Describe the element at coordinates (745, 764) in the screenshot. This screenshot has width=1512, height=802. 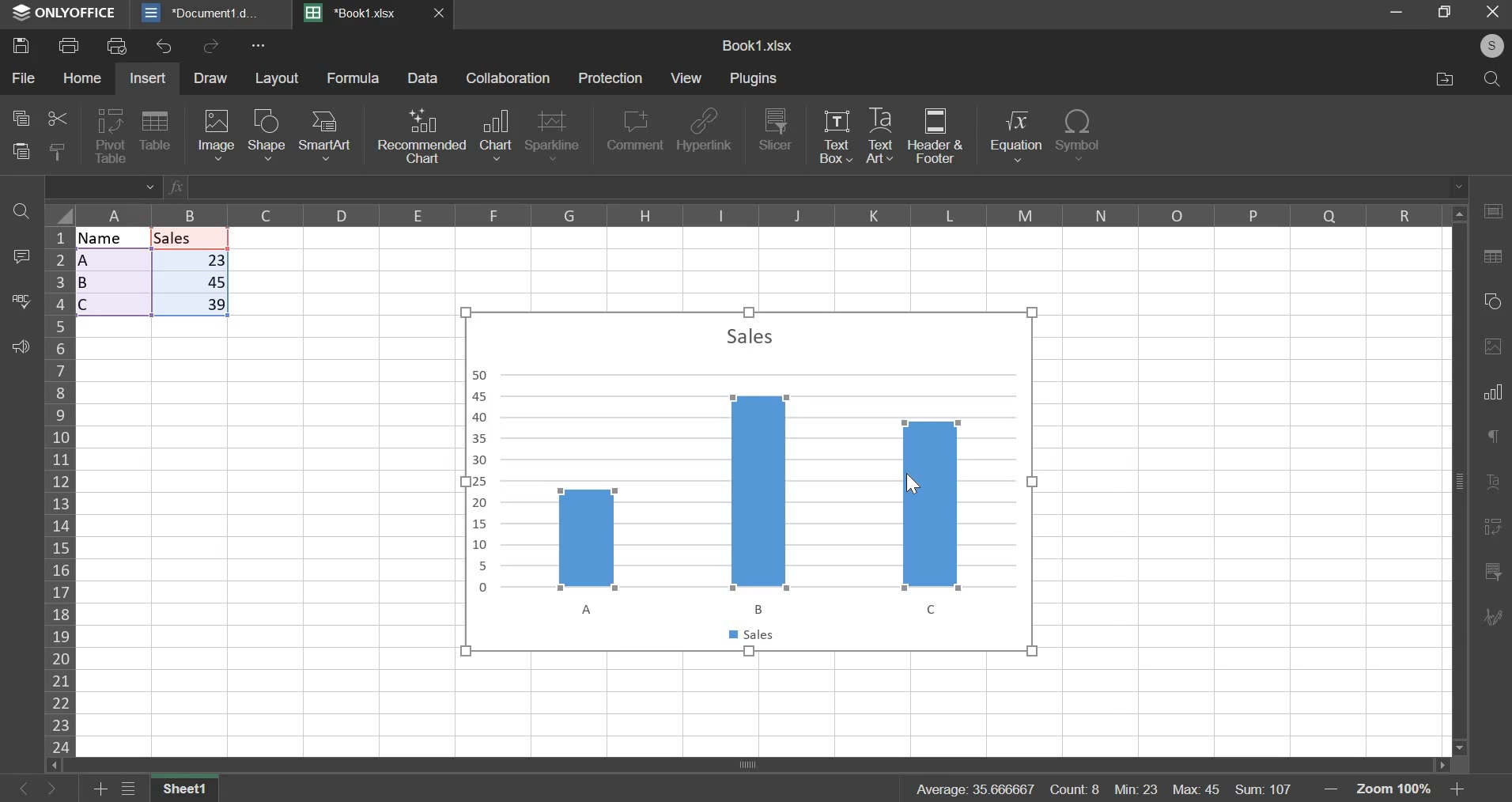
I see `Horizontal scroll bar` at that location.